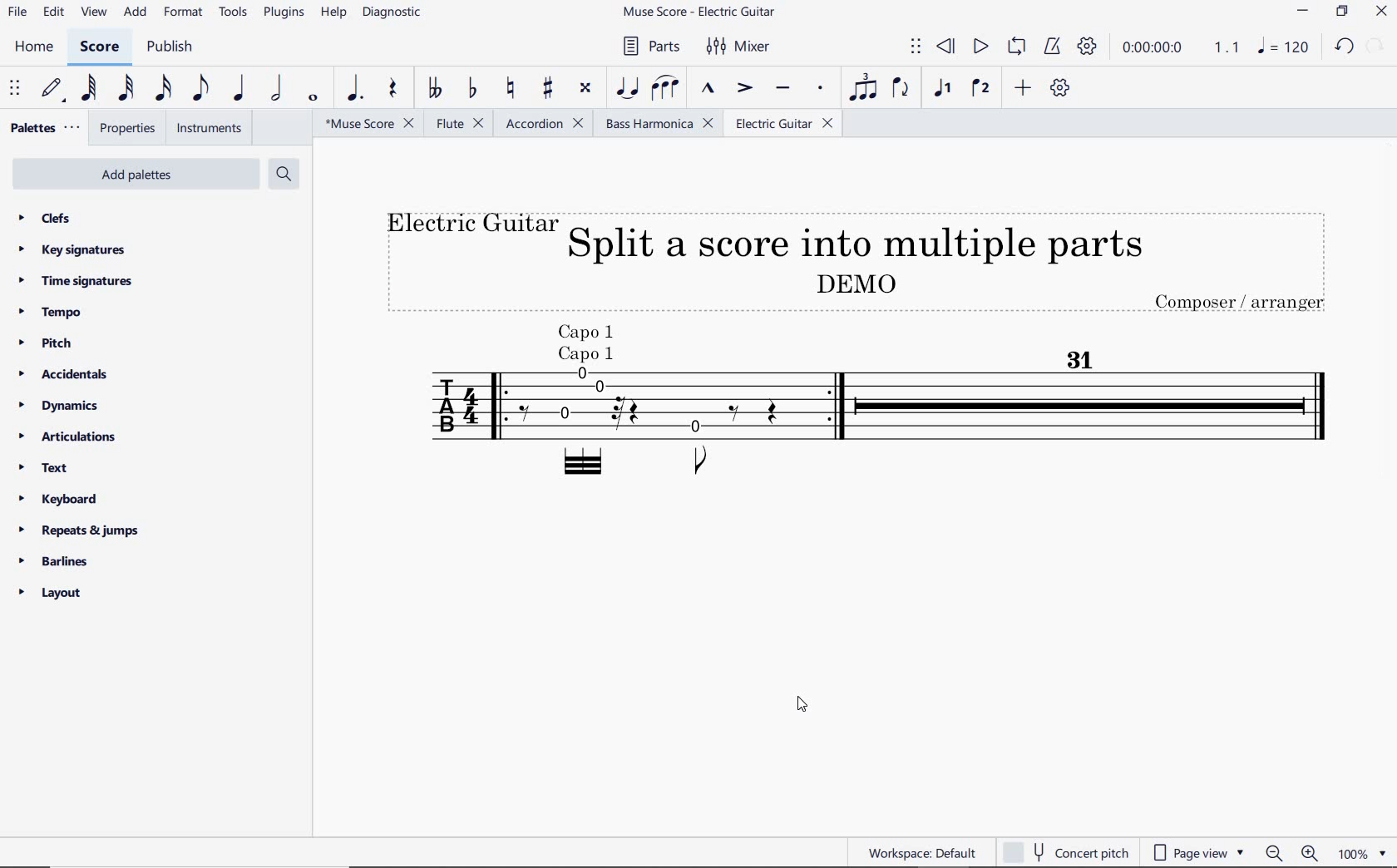 Image resolution: width=1397 pixels, height=868 pixels. I want to click on text, so click(39, 469).